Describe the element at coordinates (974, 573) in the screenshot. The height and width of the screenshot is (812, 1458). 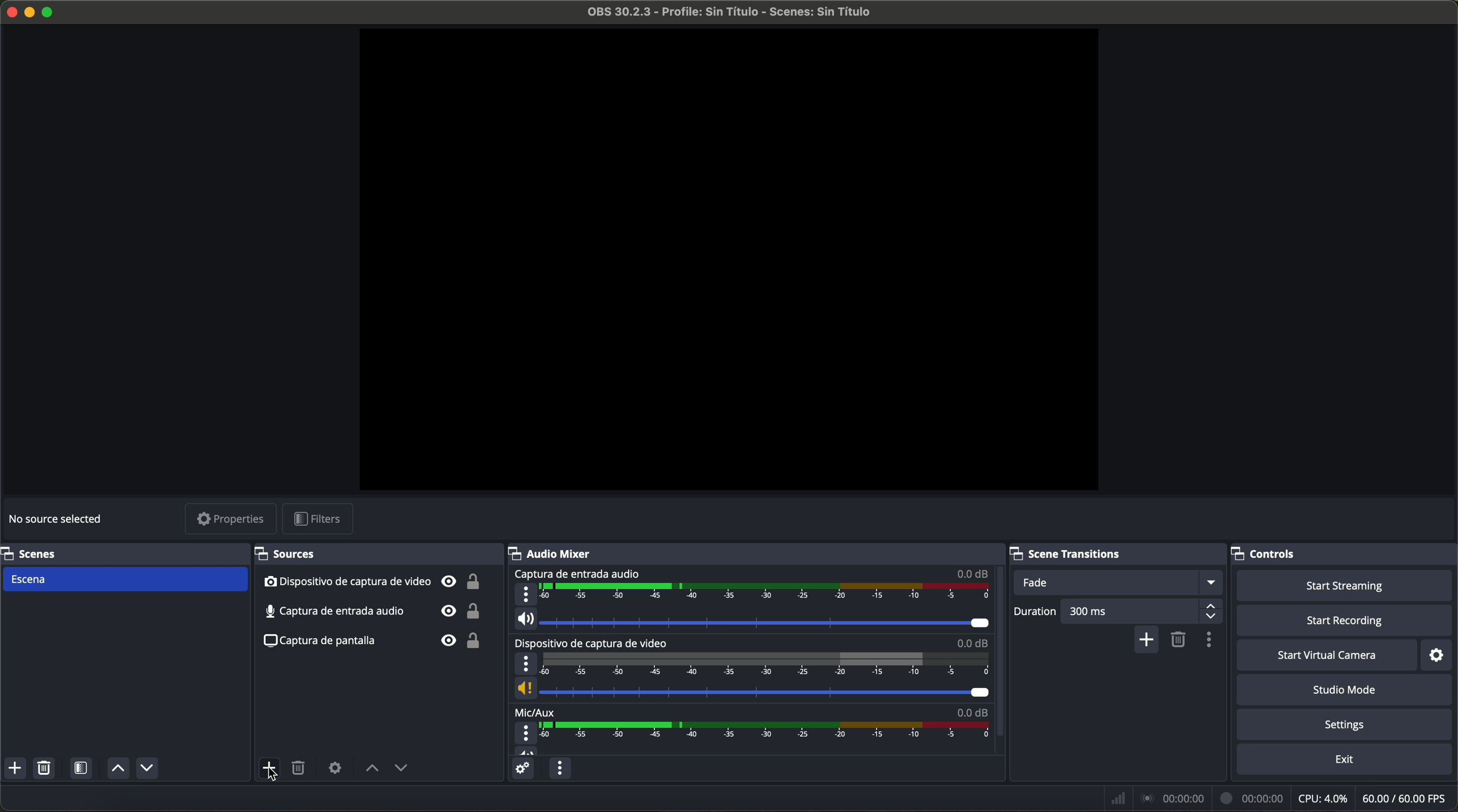
I see `0.0 dB` at that location.